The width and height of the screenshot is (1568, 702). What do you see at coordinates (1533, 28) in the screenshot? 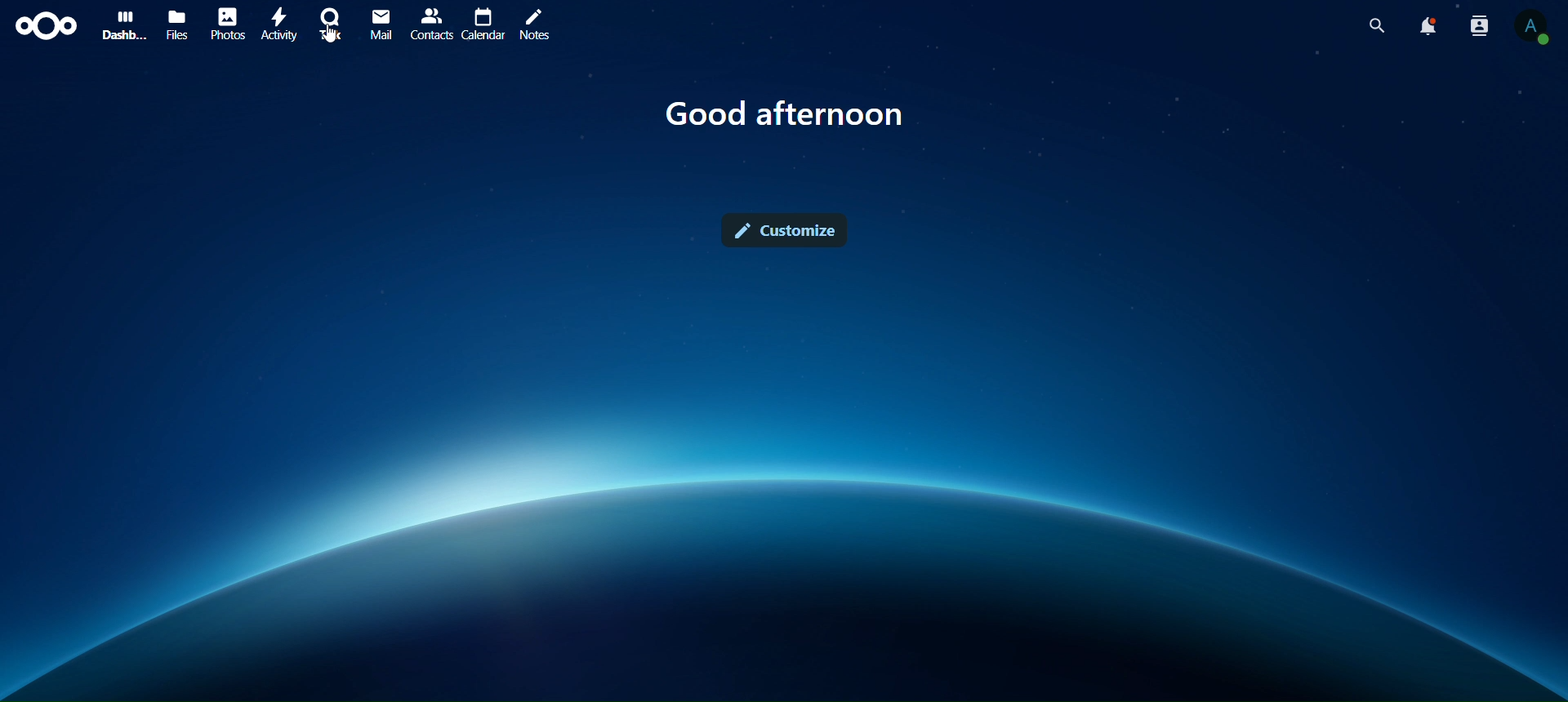
I see `view profile` at bounding box center [1533, 28].